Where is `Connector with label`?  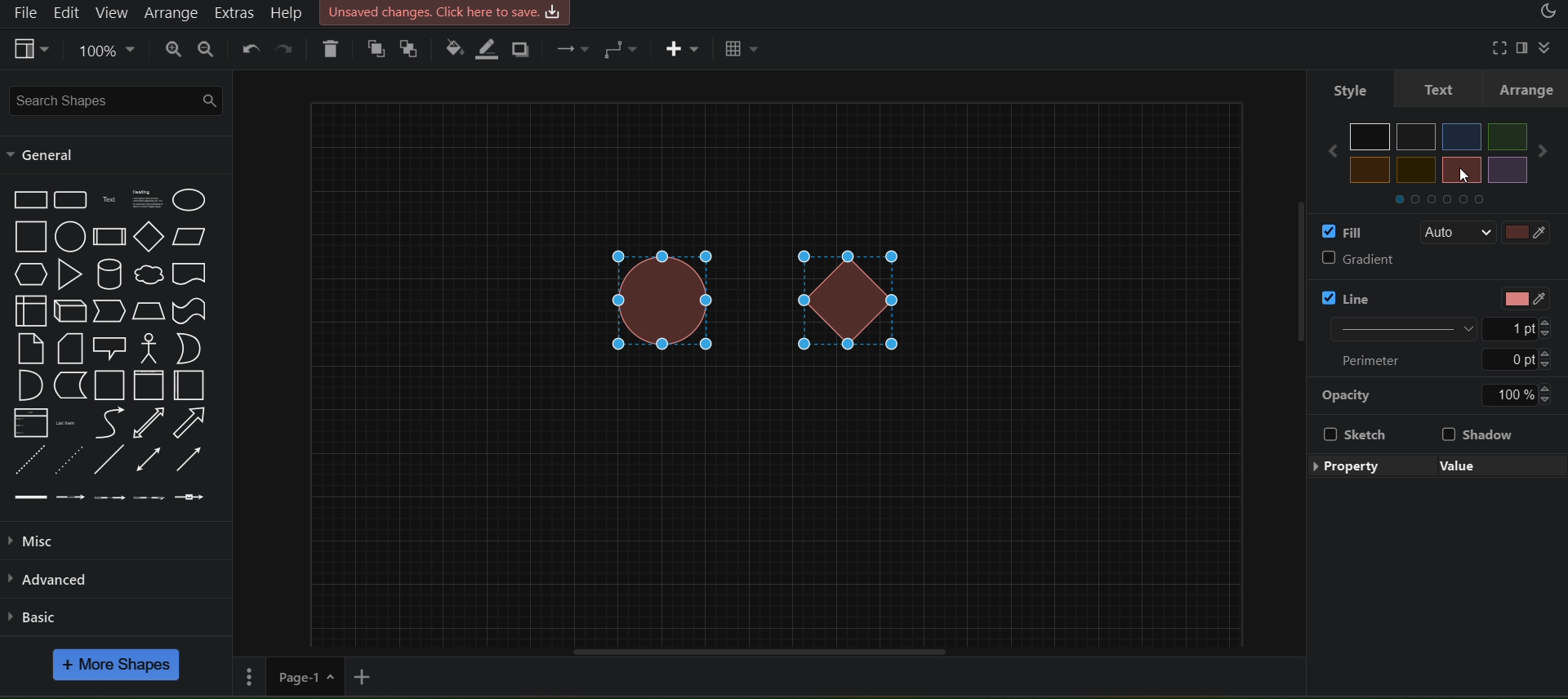
Connector with label is located at coordinates (69, 496).